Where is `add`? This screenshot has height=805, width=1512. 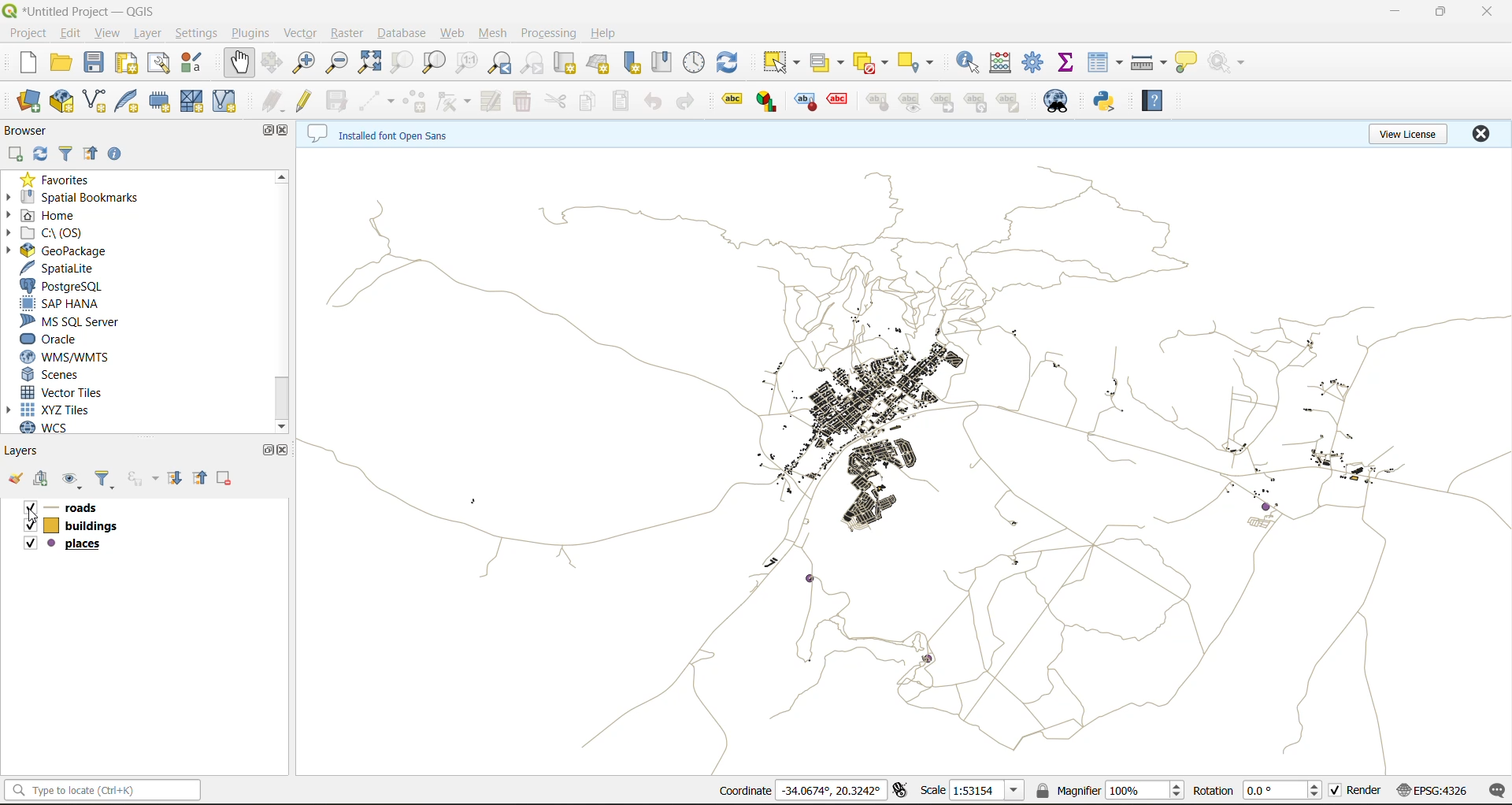 add is located at coordinates (17, 157).